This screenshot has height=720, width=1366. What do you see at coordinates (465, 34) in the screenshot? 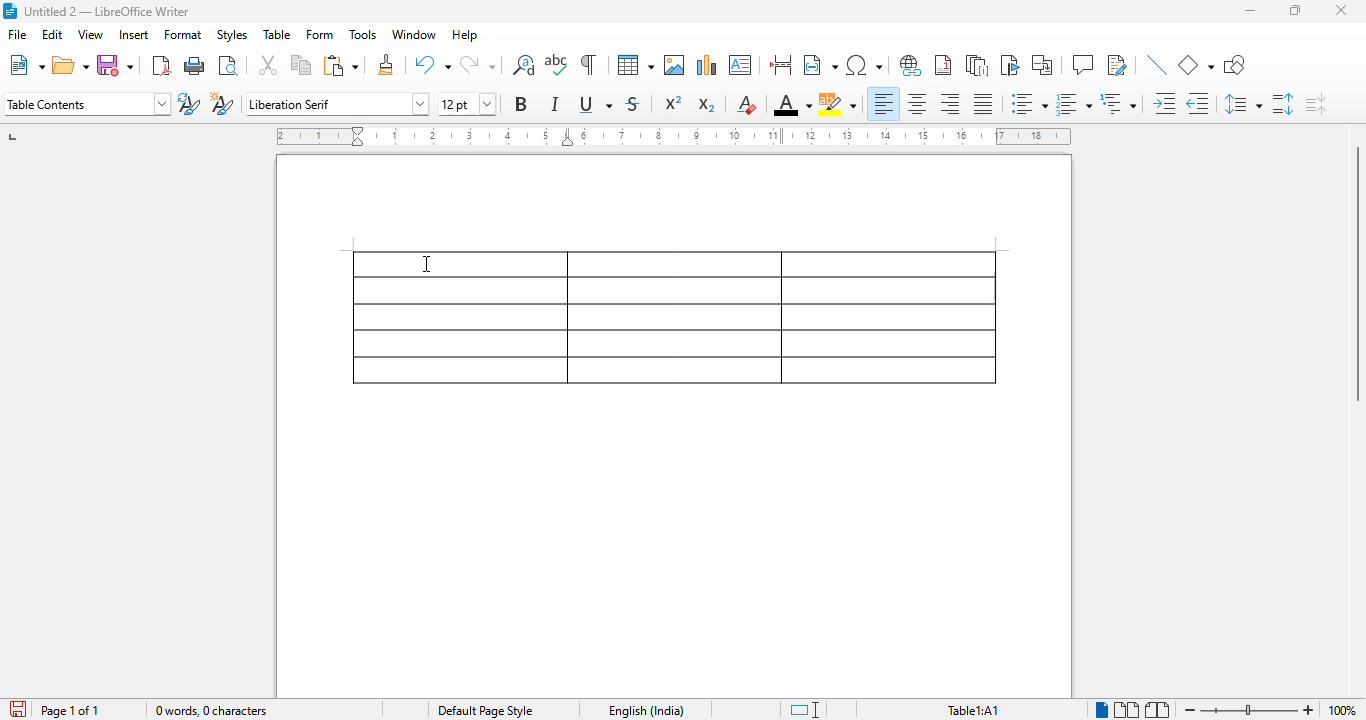
I see `help` at bounding box center [465, 34].